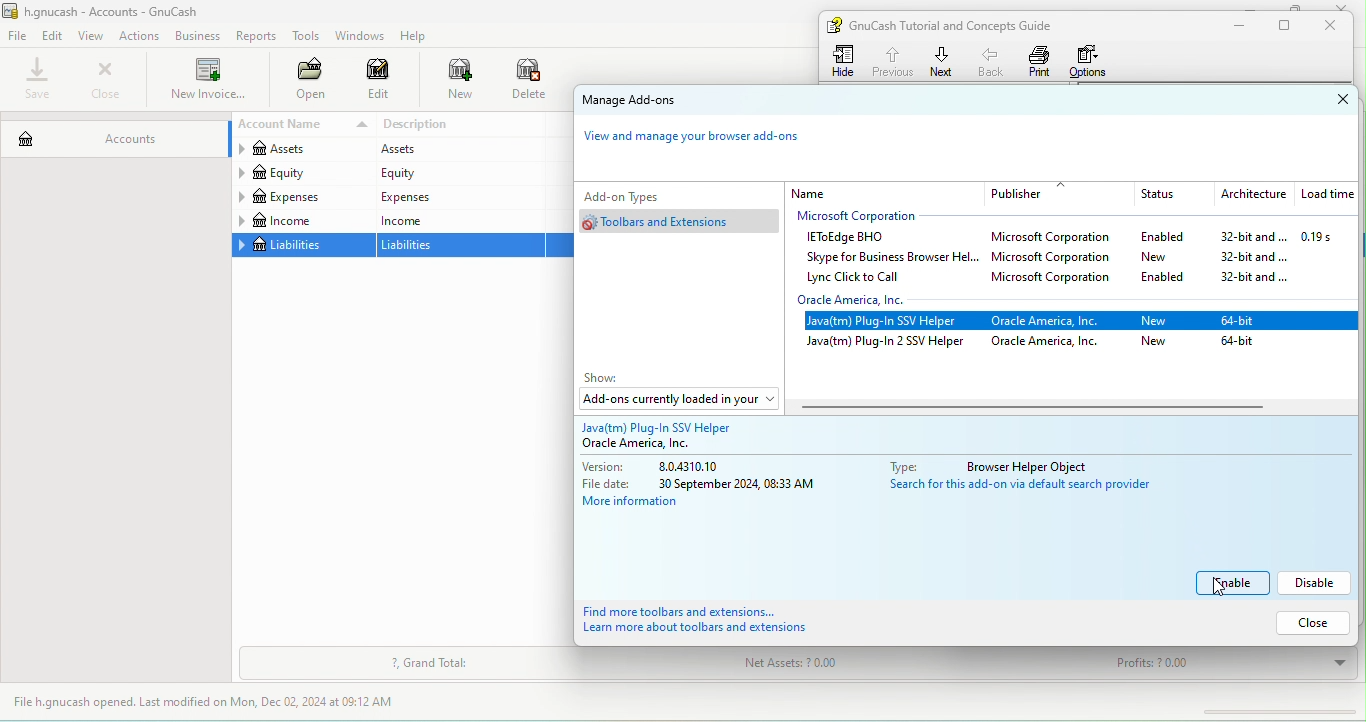 The height and width of the screenshot is (722, 1366). Describe the element at coordinates (18, 37) in the screenshot. I see `file` at that location.